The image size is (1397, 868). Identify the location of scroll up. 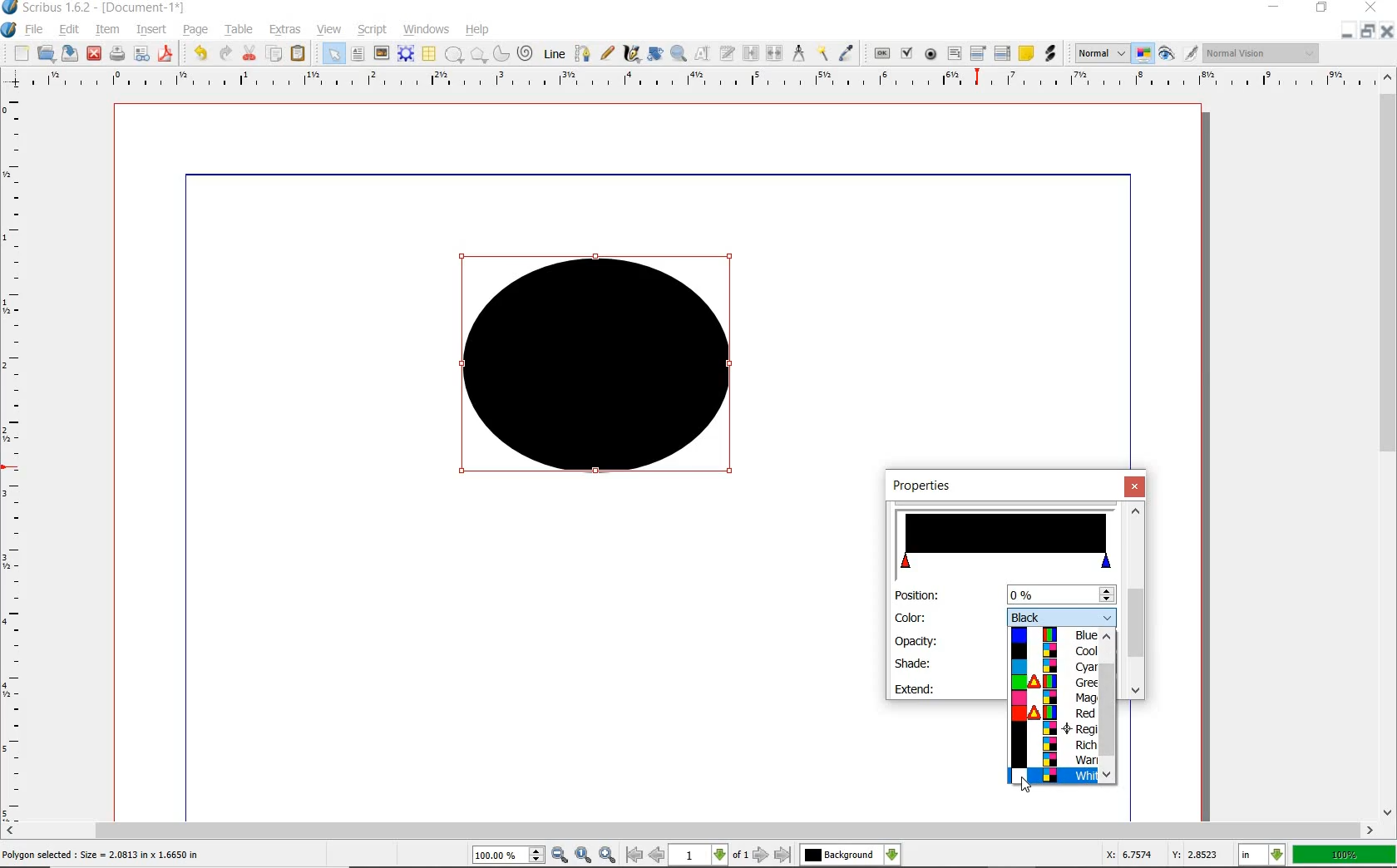
(1136, 510).